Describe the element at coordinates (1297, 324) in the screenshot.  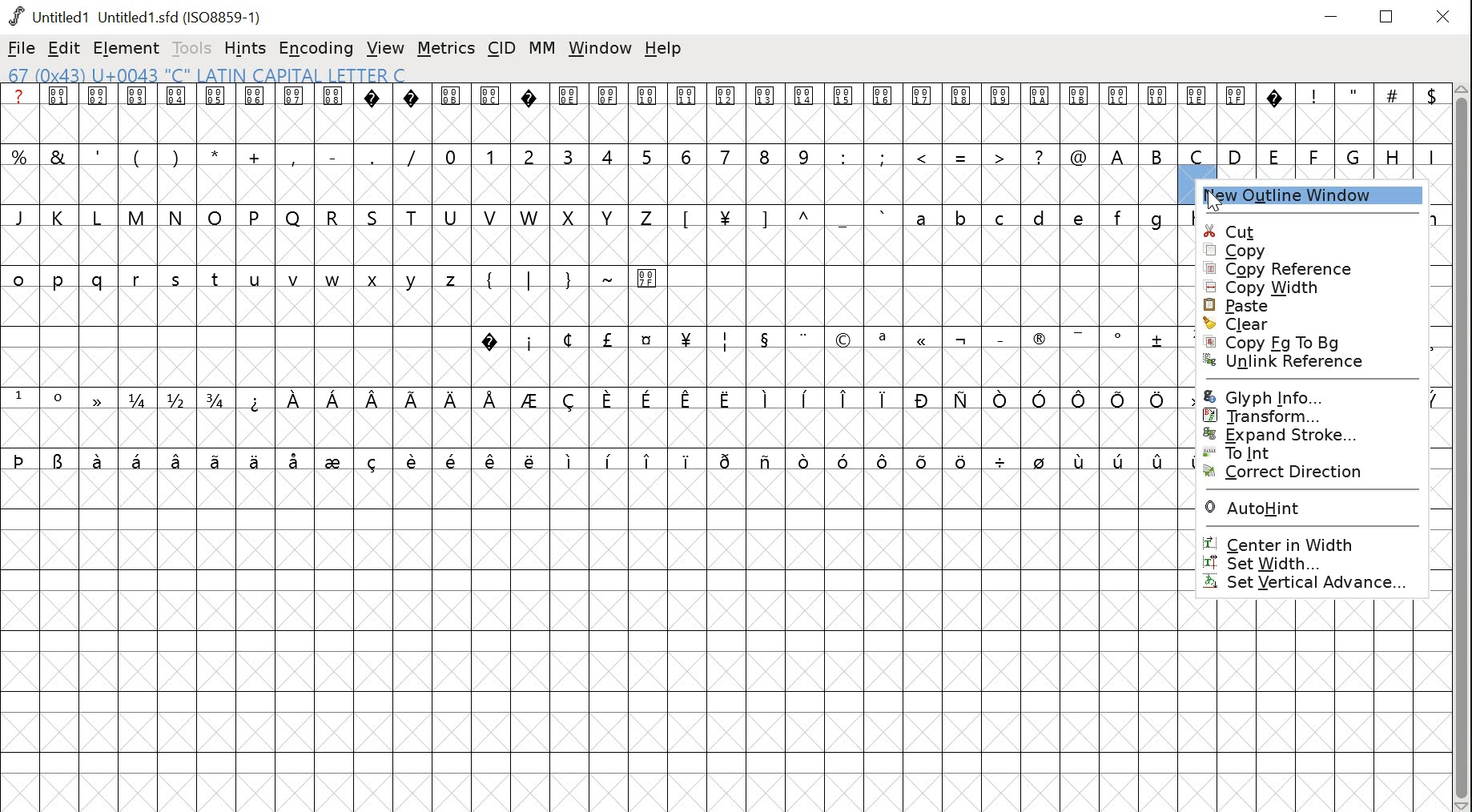
I see `clear` at that location.